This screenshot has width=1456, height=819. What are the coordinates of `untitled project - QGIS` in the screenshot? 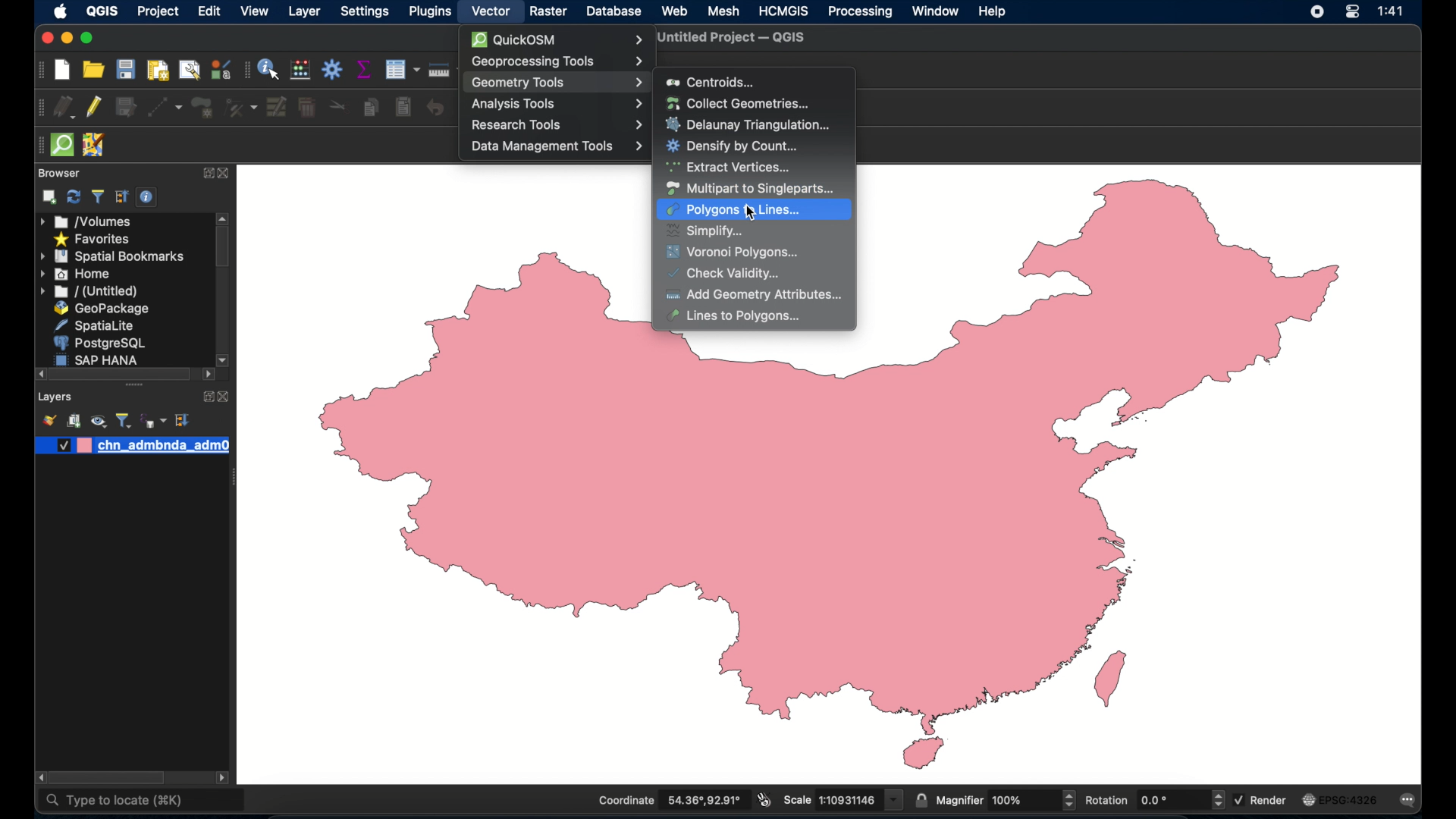 It's located at (732, 39).